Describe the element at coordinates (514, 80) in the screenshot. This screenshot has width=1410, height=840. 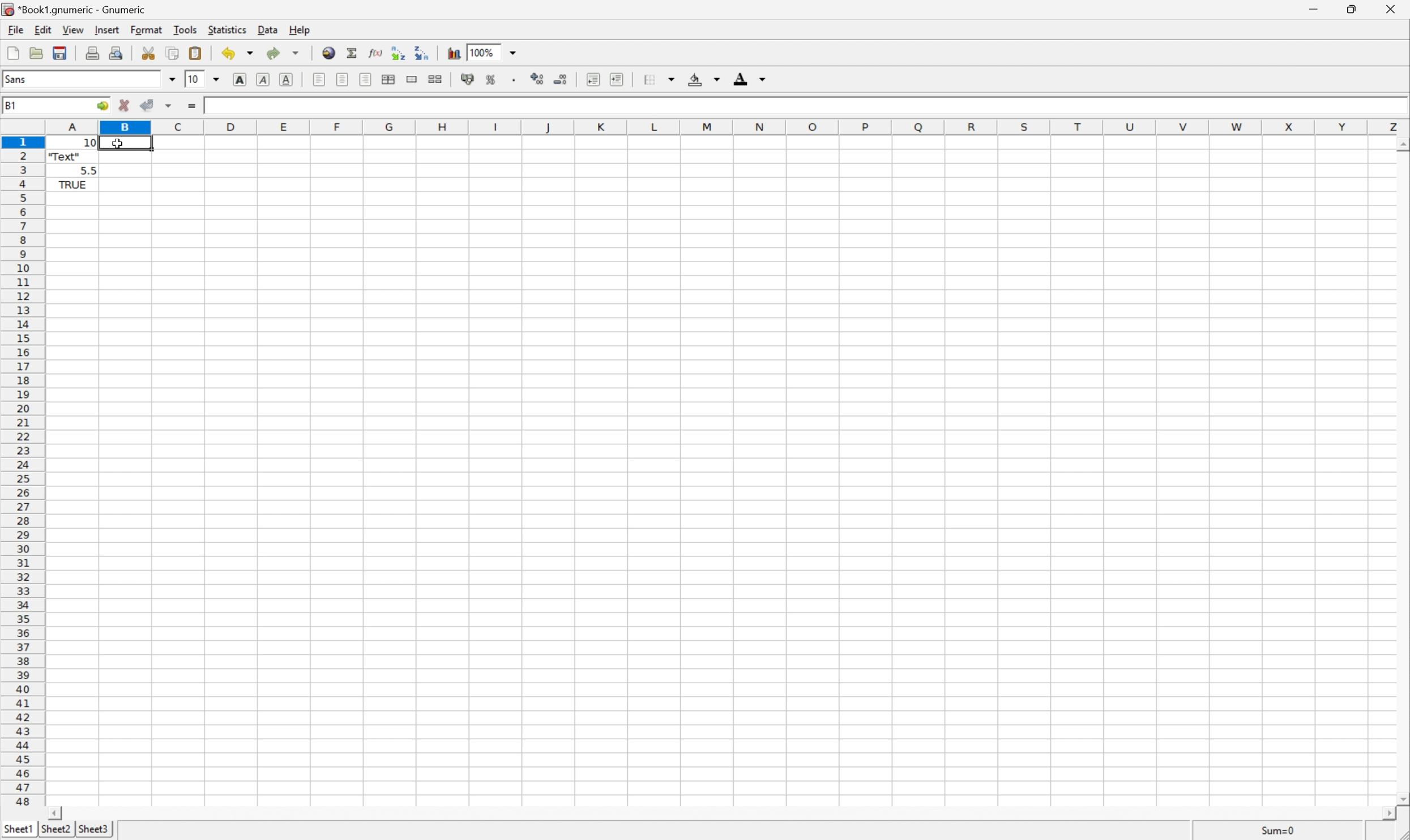
I see `Set the format of the selected cells to include a thousands separator` at that location.